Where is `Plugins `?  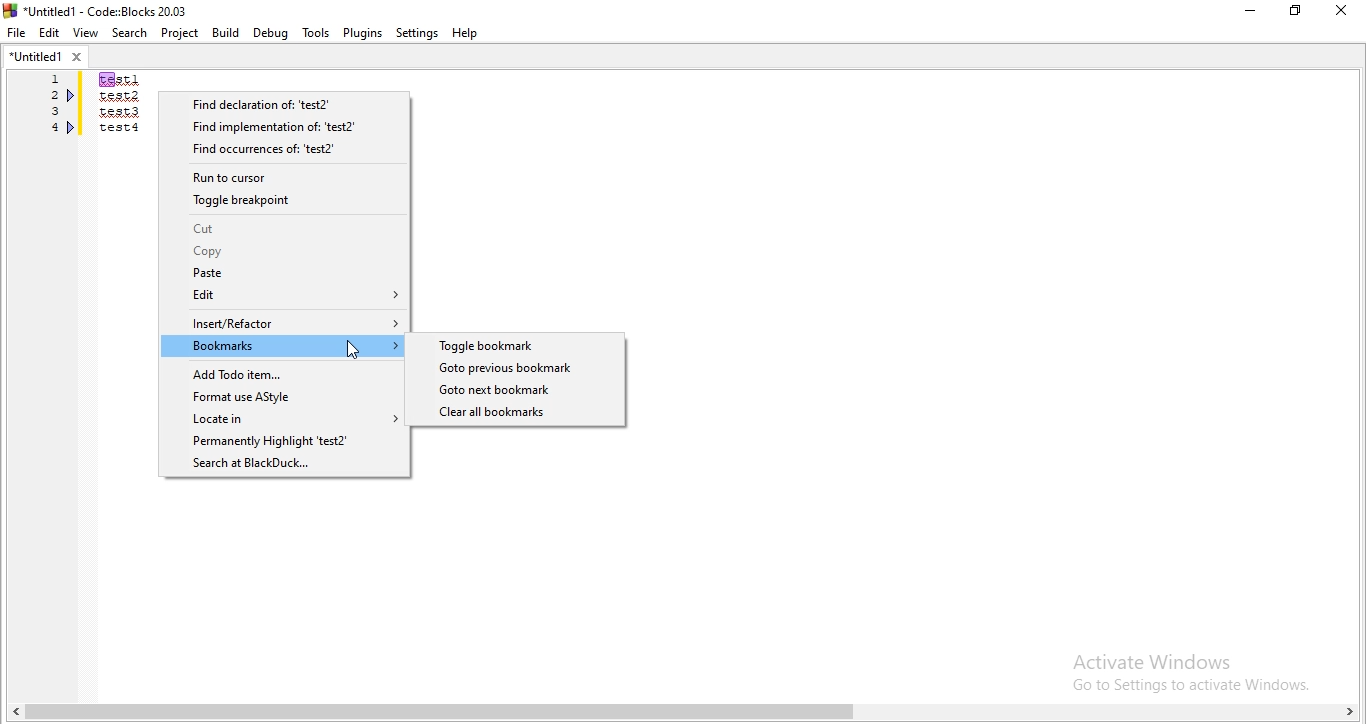
Plugins  is located at coordinates (364, 33).